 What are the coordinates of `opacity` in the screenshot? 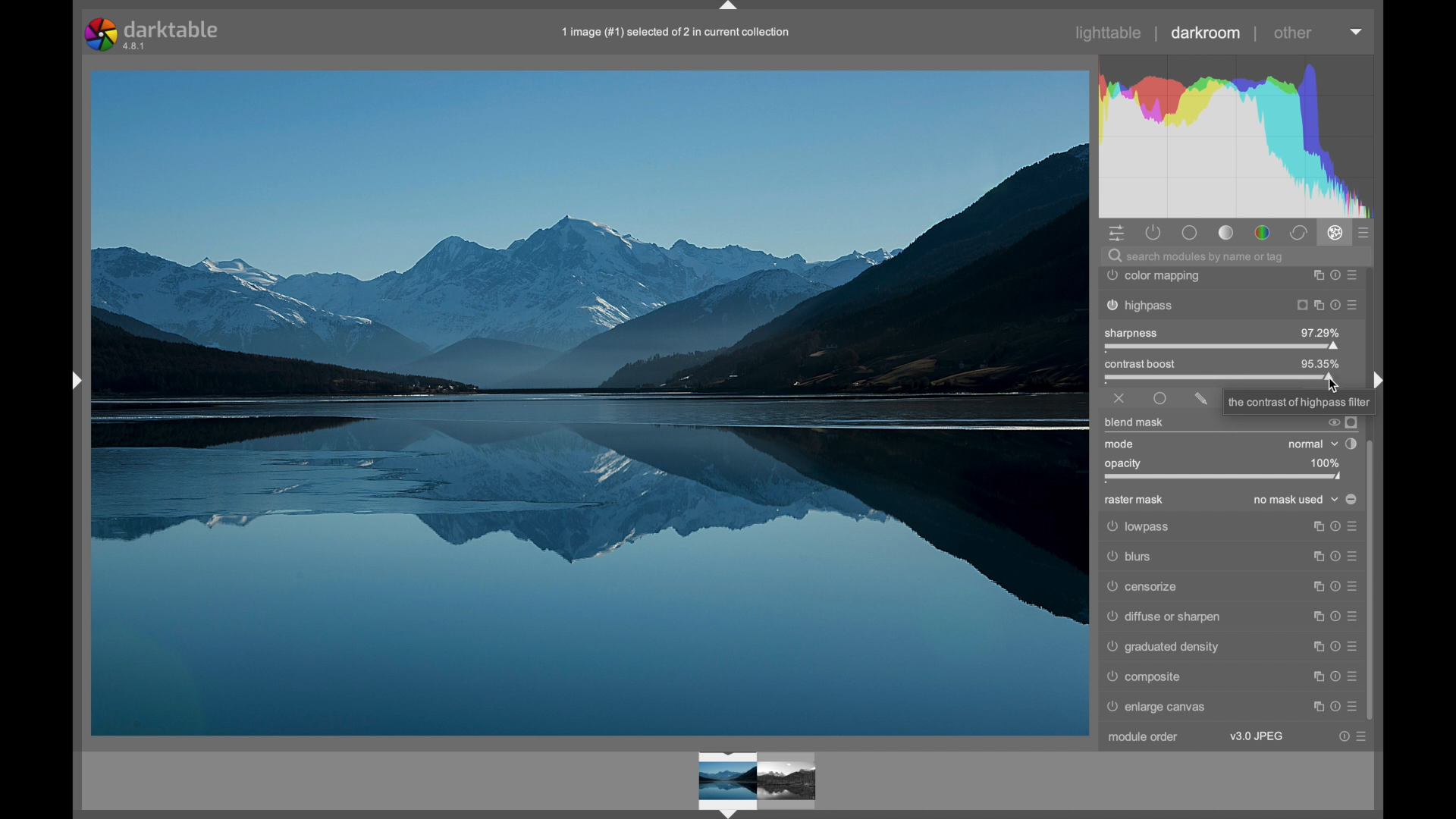 It's located at (1125, 463).